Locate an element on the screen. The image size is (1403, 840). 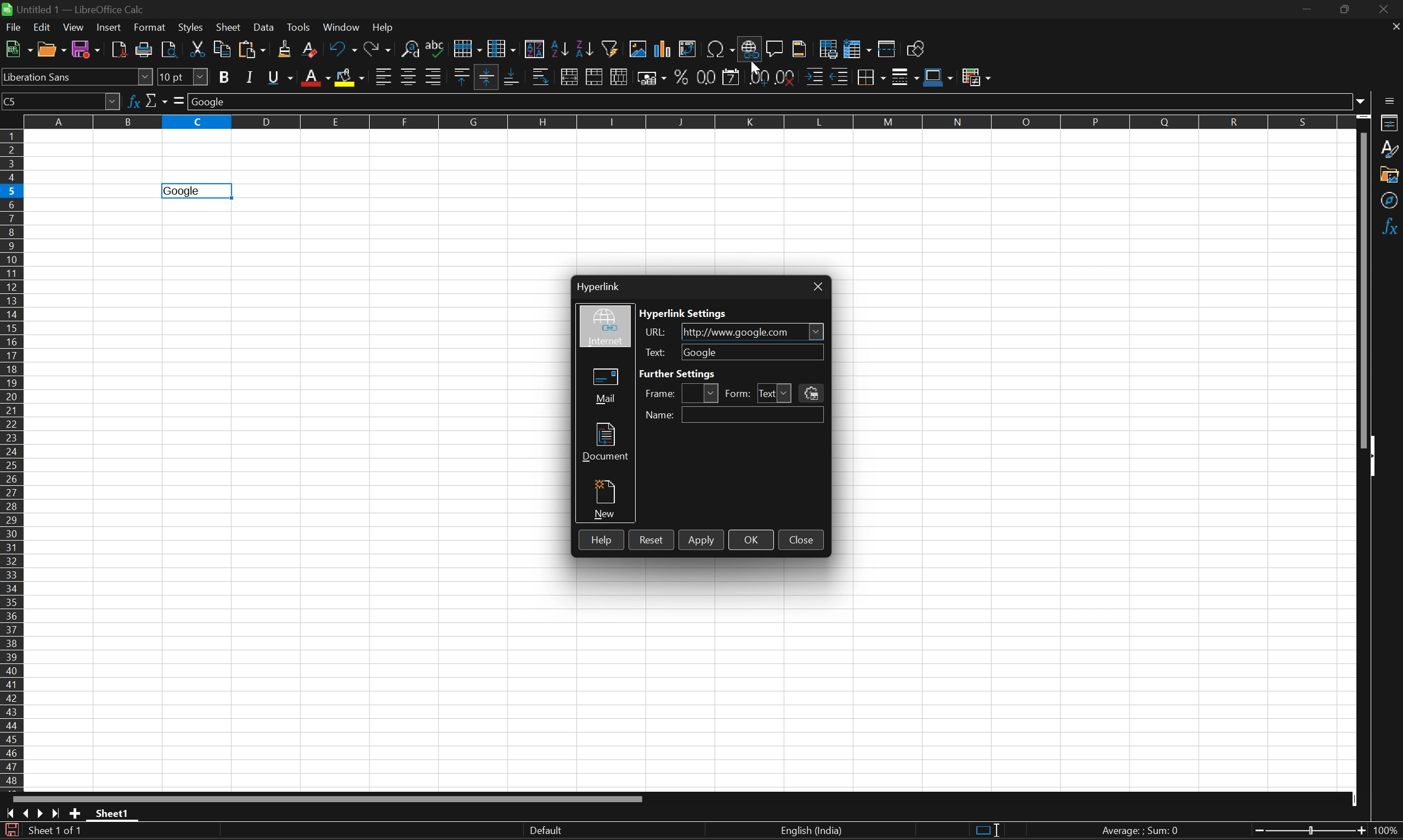
Insert comment is located at coordinates (776, 49).